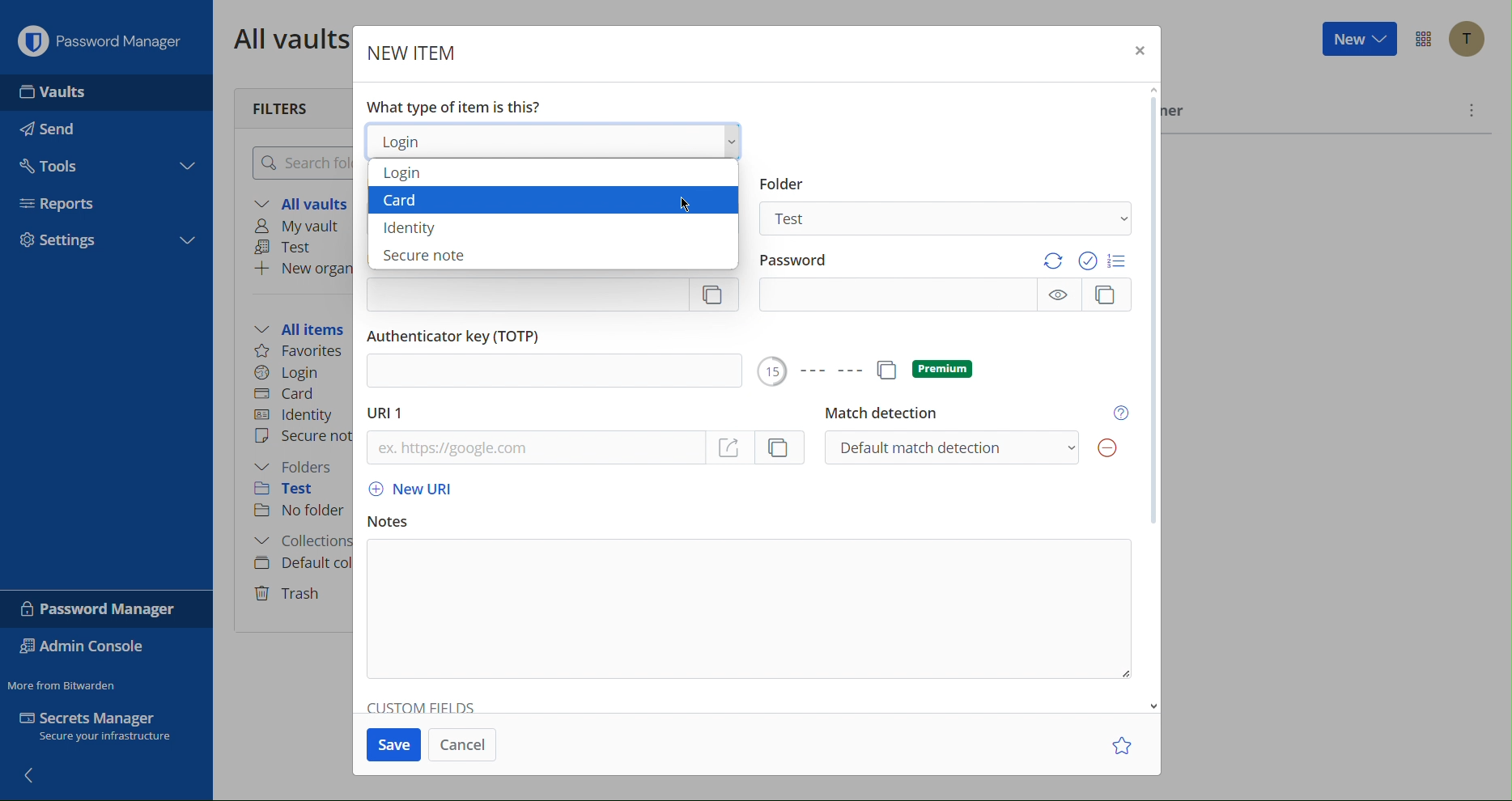  What do you see at coordinates (299, 328) in the screenshot?
I see `All items` at bounding box center [299, 328].